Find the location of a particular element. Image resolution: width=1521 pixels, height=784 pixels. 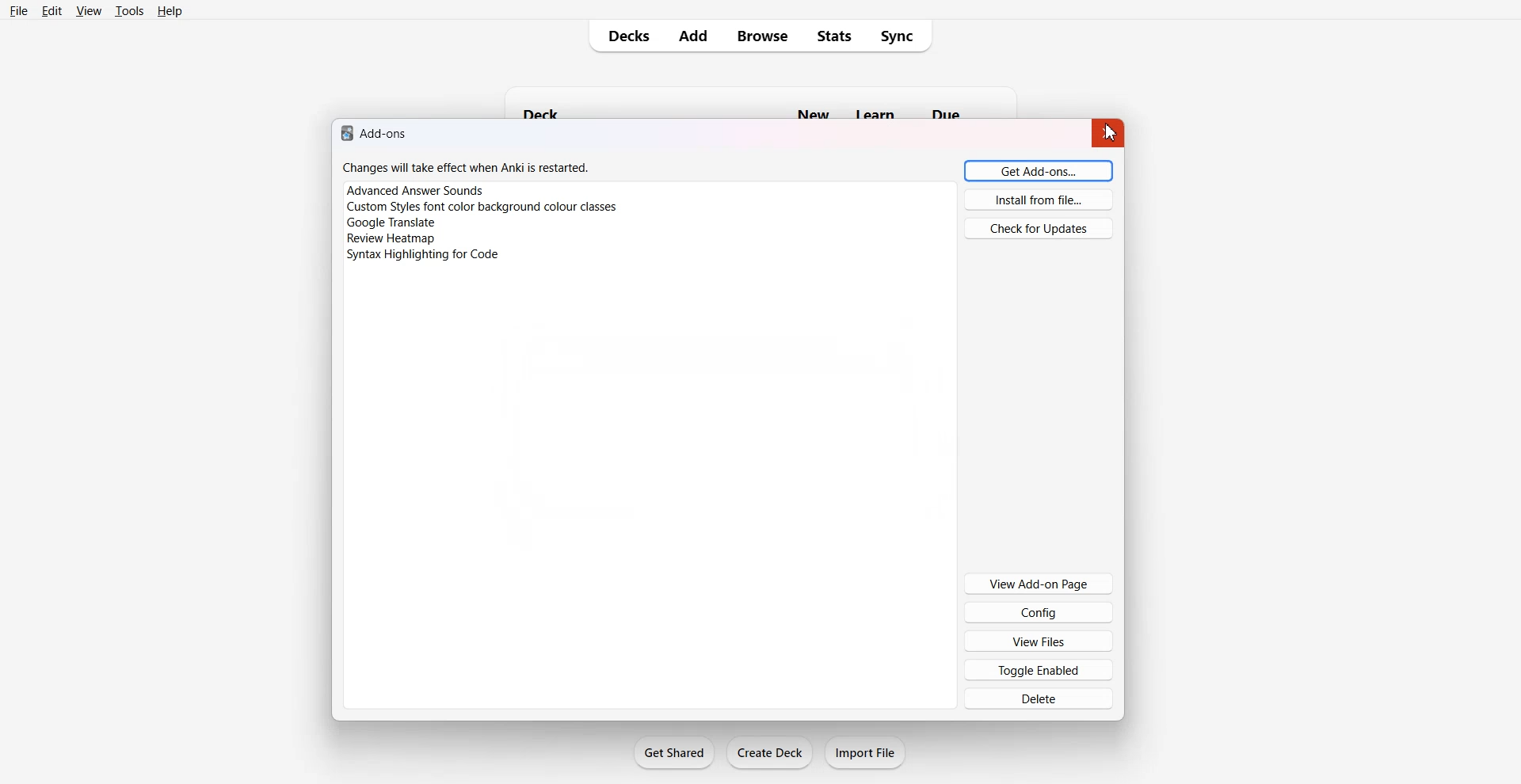

Toggle Enabled is located at coordinates (1038, 669).